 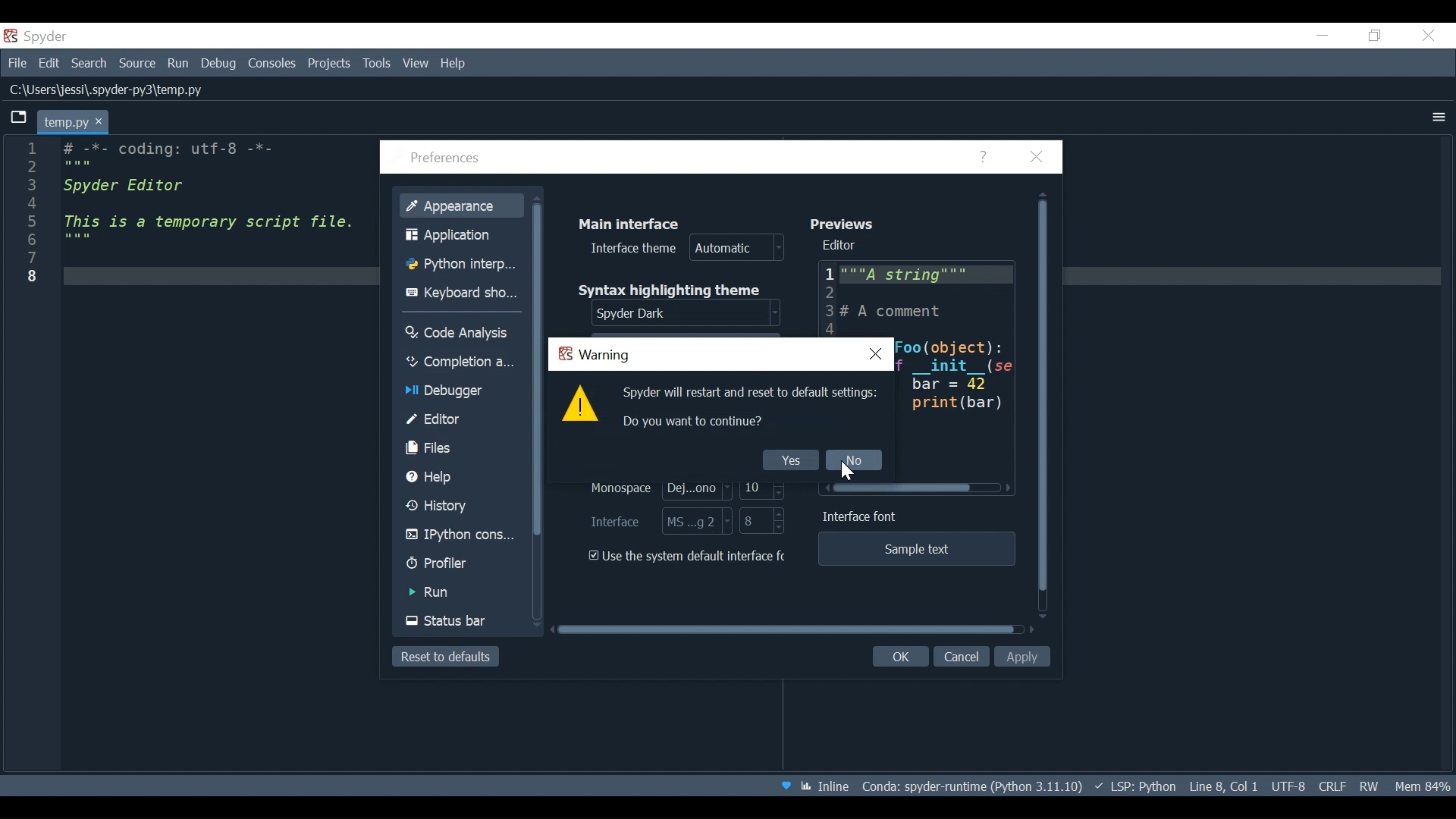 What do you see at coordinates (852, 473) in the screenshot?
I see `Cursor` at bounding box center [852, 473].